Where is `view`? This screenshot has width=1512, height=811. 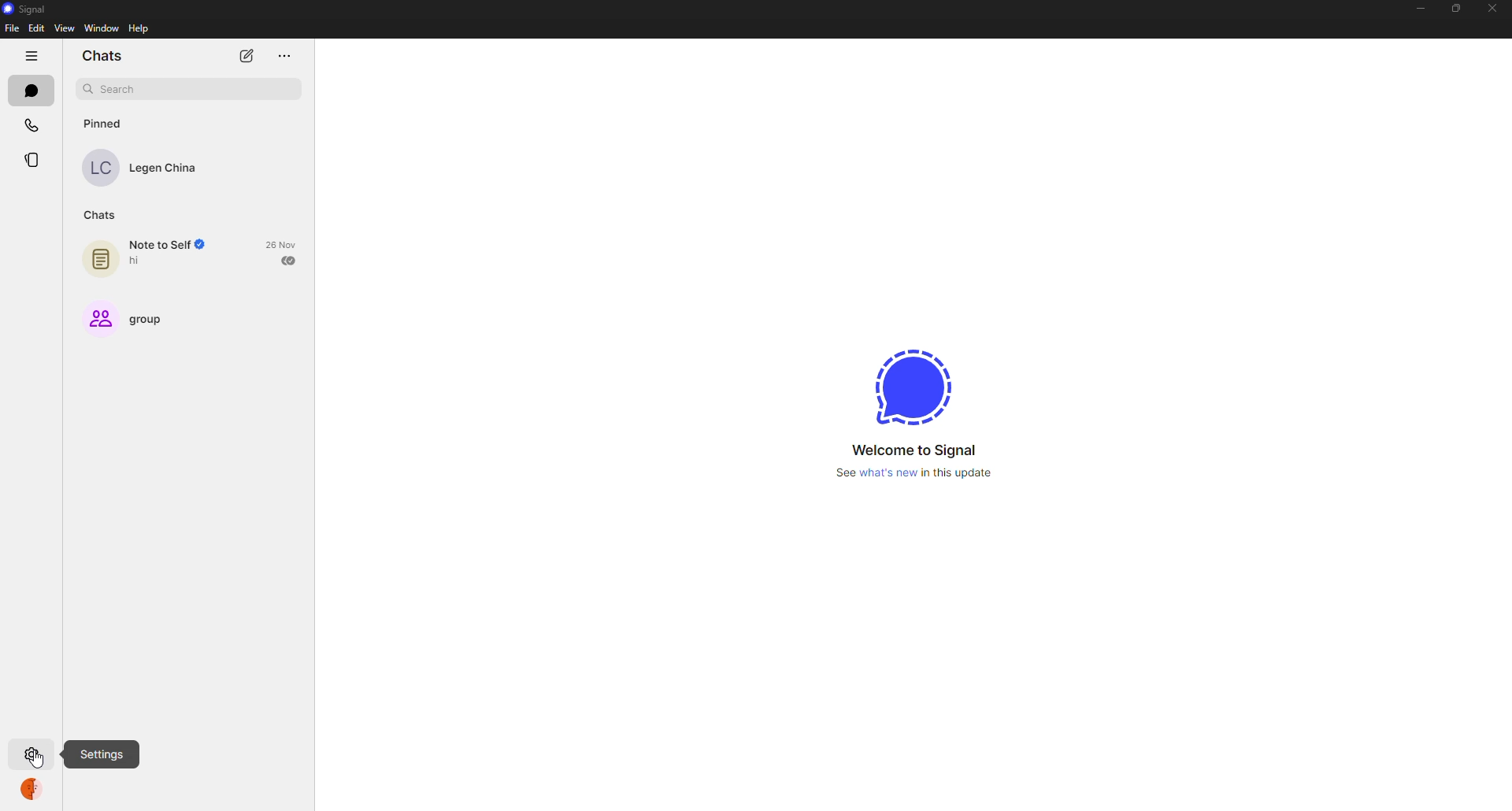 view is located at coordinates (63, 28).